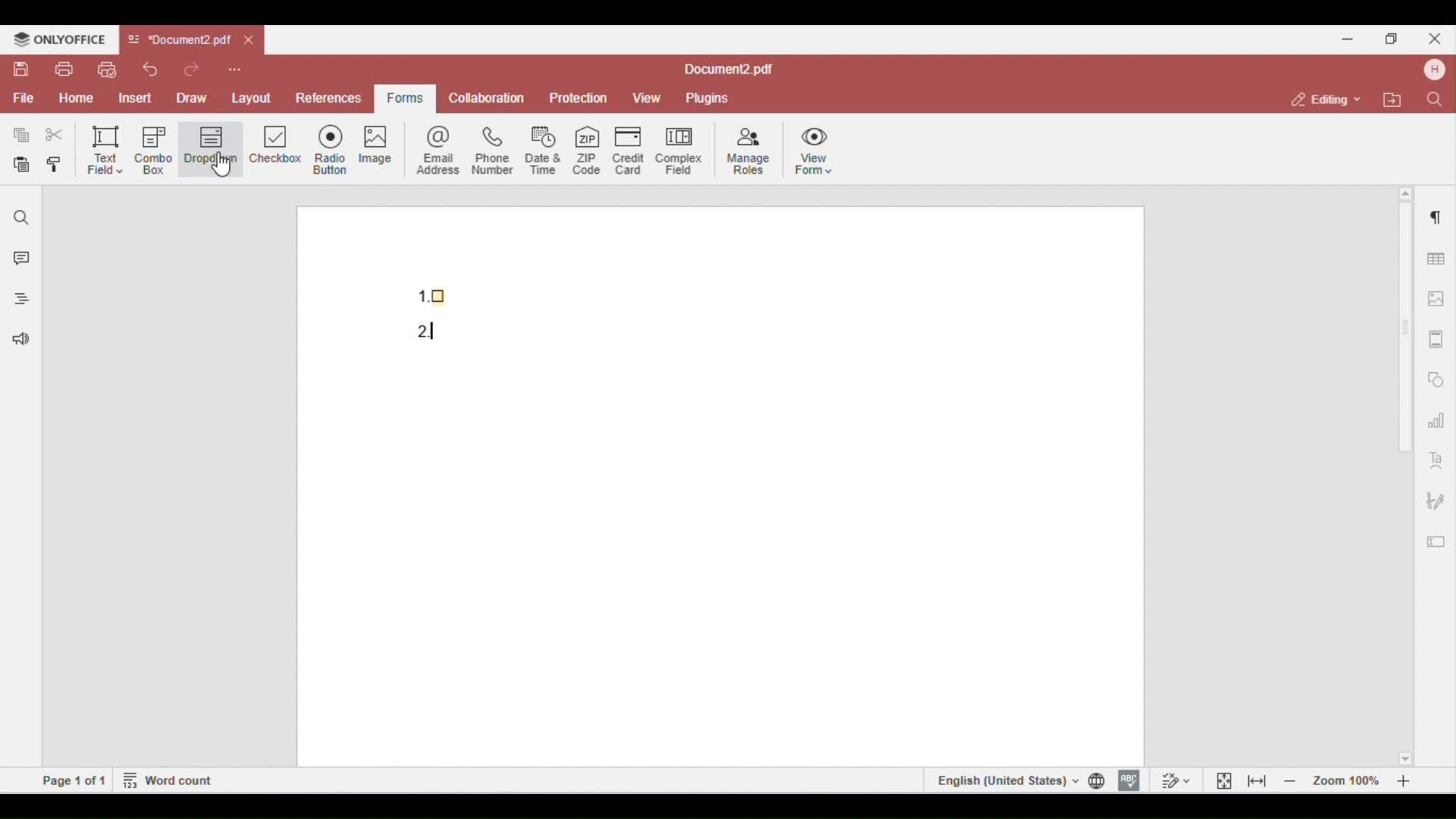  What do you see at coordinates (1436, 538) in the screenshot?
I see `form settings` at bounding box center [1436, 538].